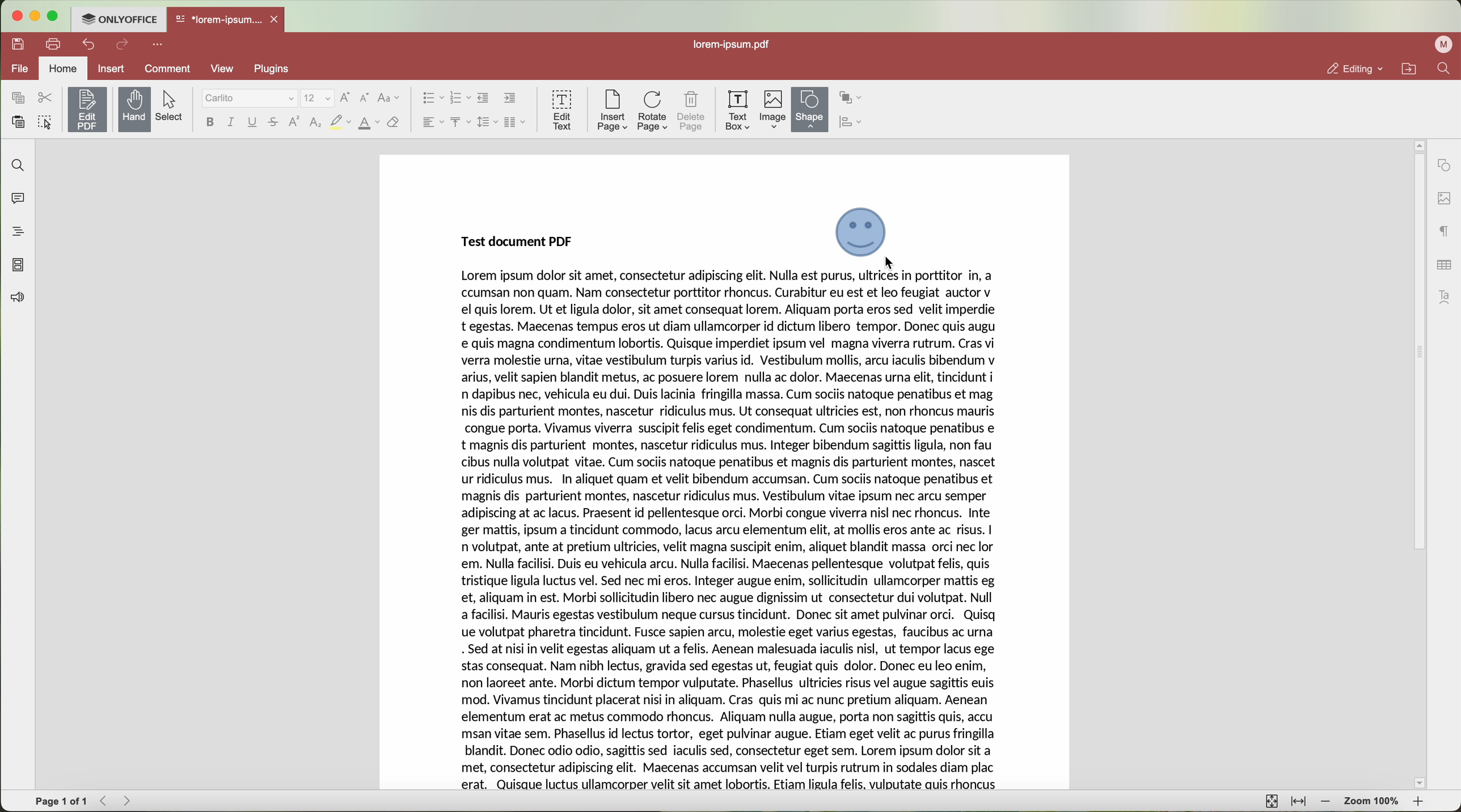 The height and width of the screenshot is (812, 1461). I want to click on scrollbar, so click(1418, 464).